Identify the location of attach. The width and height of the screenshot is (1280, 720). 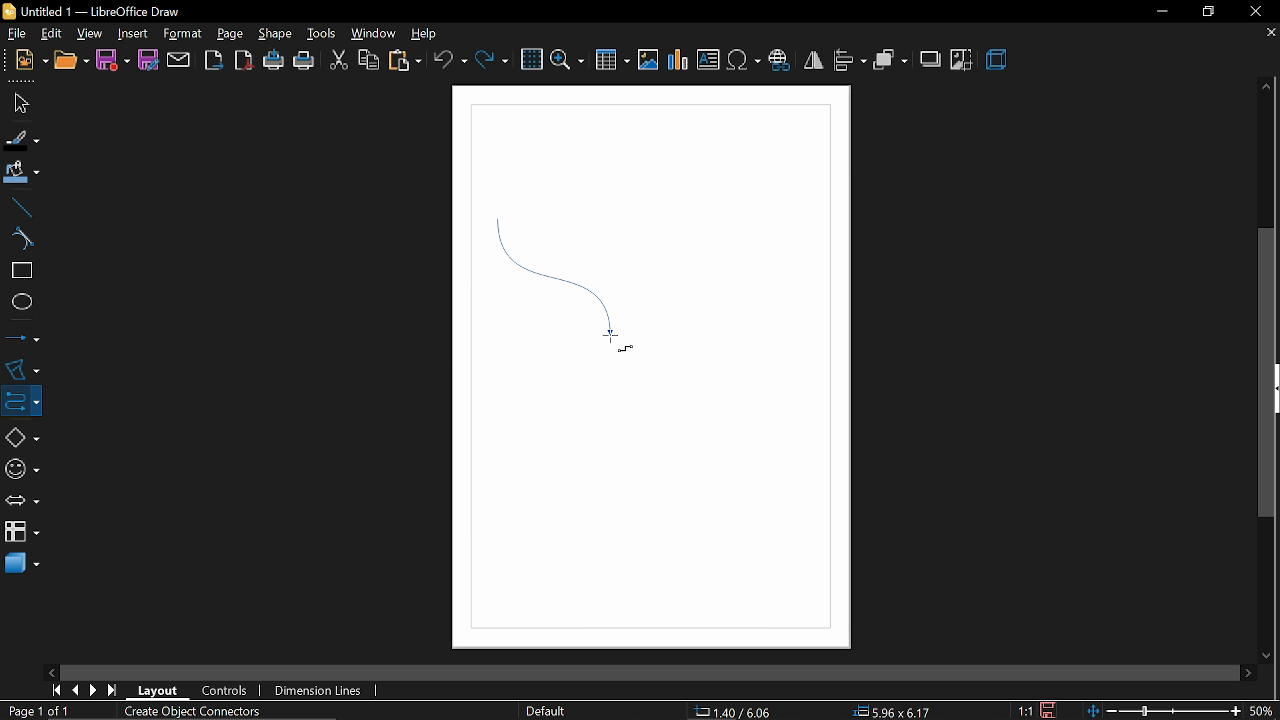
(178, 60).